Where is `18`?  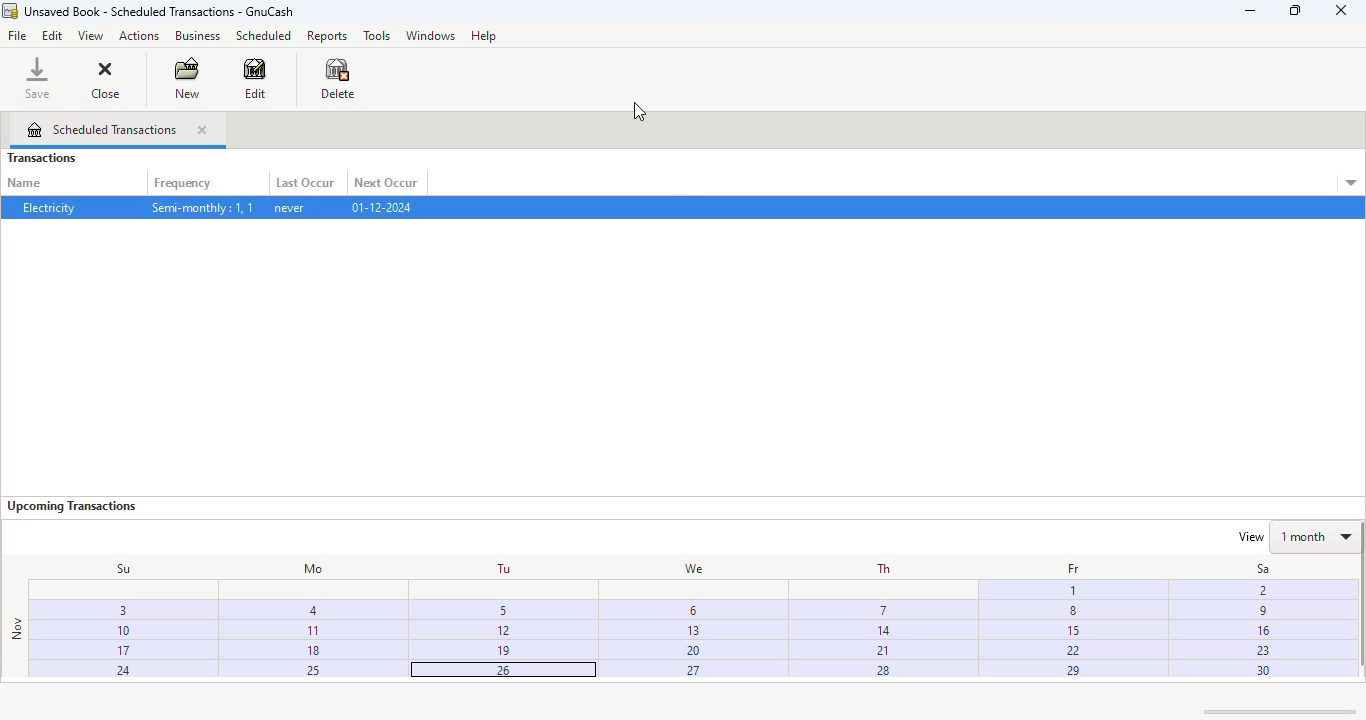
18 is located at coordinates (313, 649).